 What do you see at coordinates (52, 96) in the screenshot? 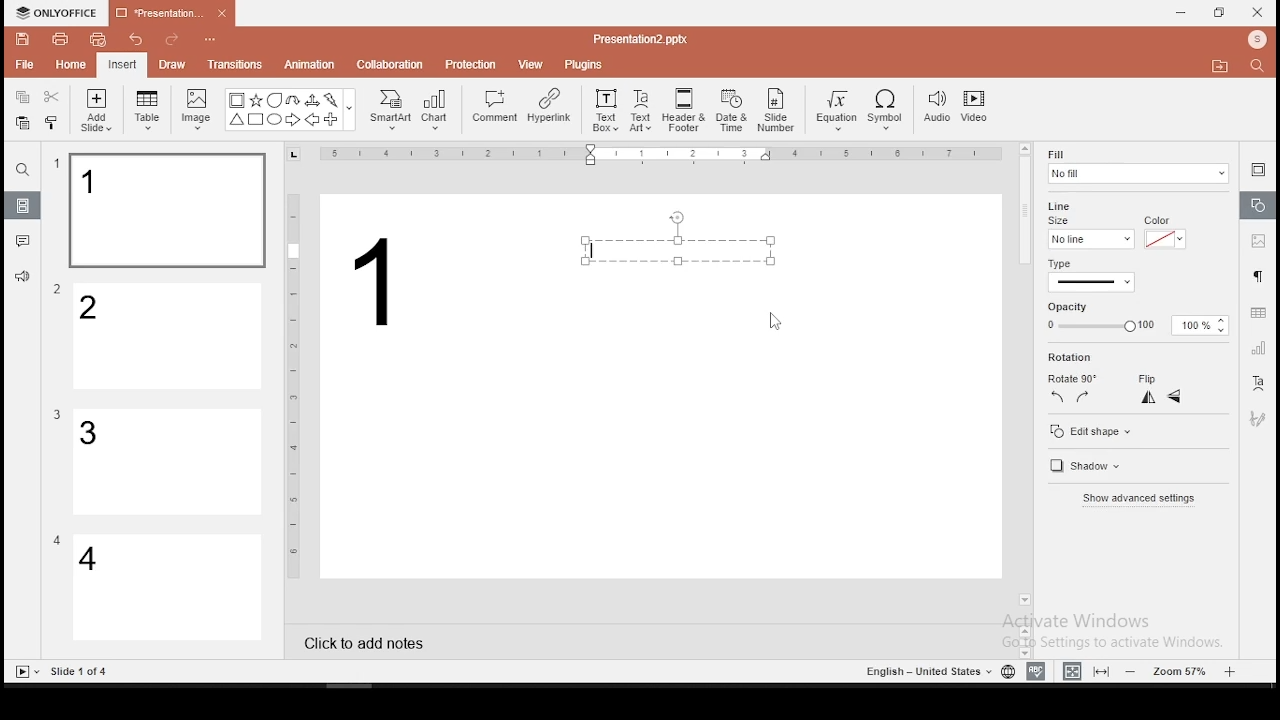
I see `cut` at bounding box center [52, 96].